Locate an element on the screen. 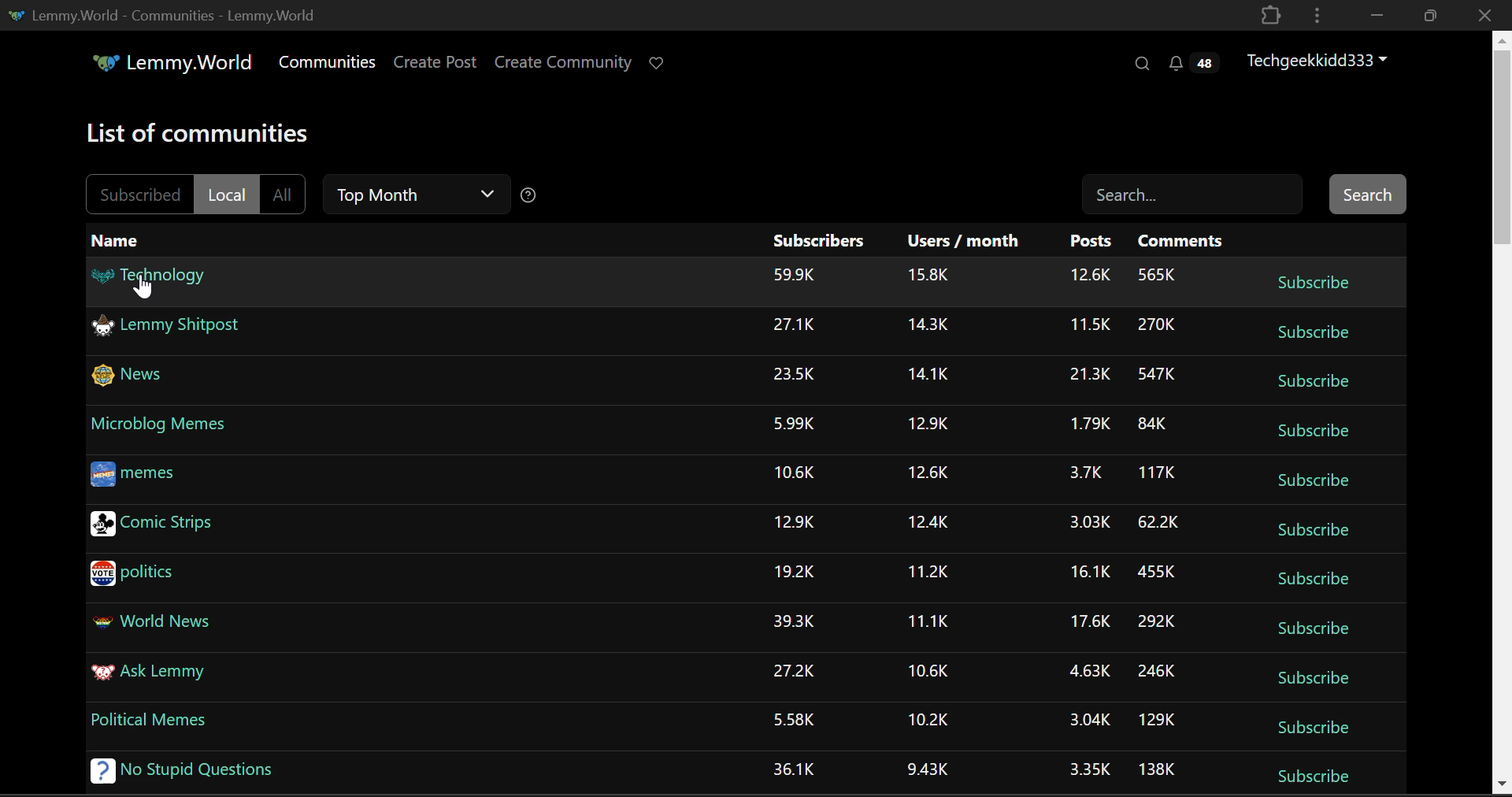  Subscribe is located at coordinates (1307, 281).